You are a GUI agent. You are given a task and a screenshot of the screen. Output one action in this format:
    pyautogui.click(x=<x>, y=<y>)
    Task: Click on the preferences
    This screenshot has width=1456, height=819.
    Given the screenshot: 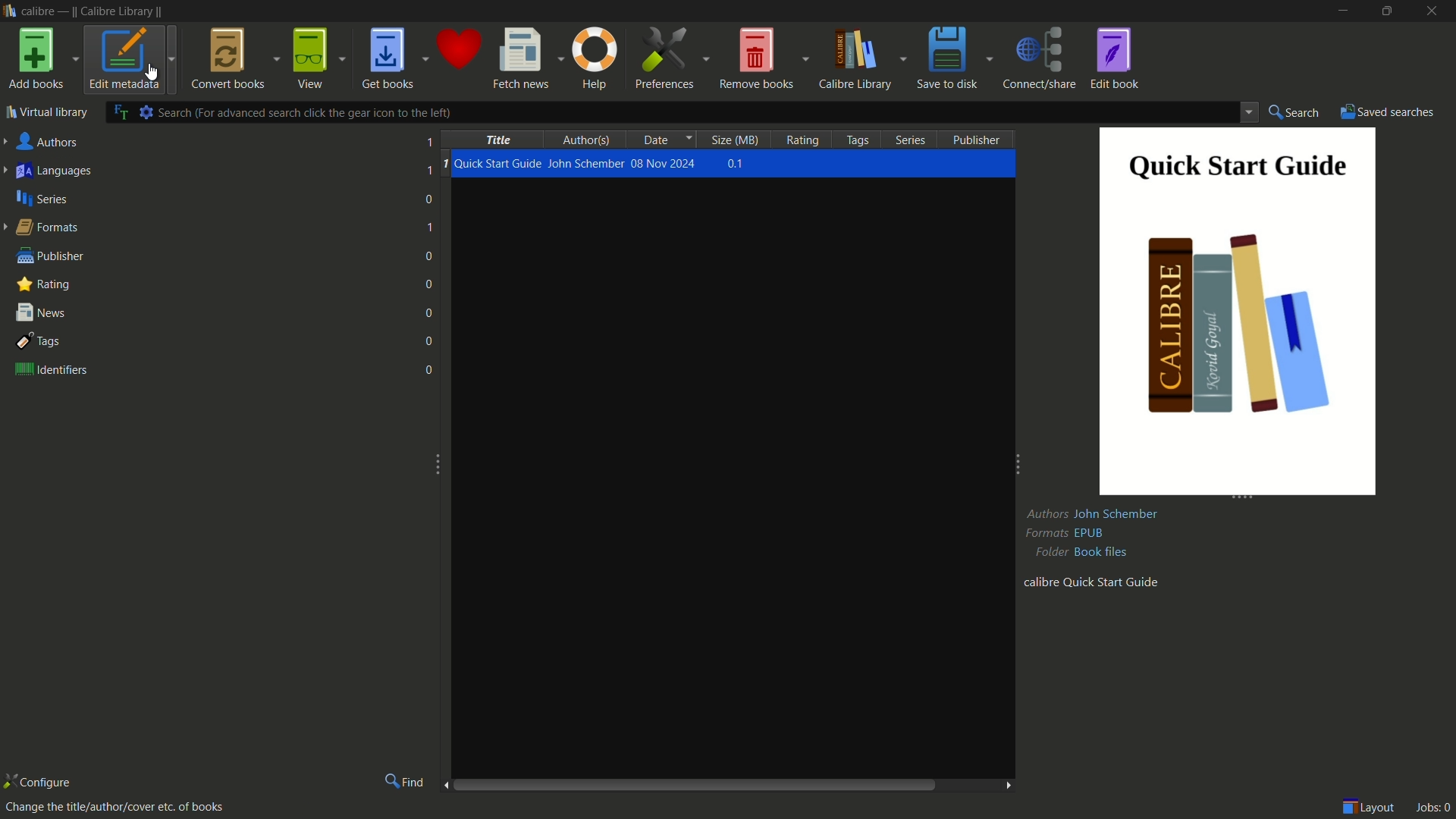 What is the action you would take?
    pyautogui.click(x=671, y=58)
    